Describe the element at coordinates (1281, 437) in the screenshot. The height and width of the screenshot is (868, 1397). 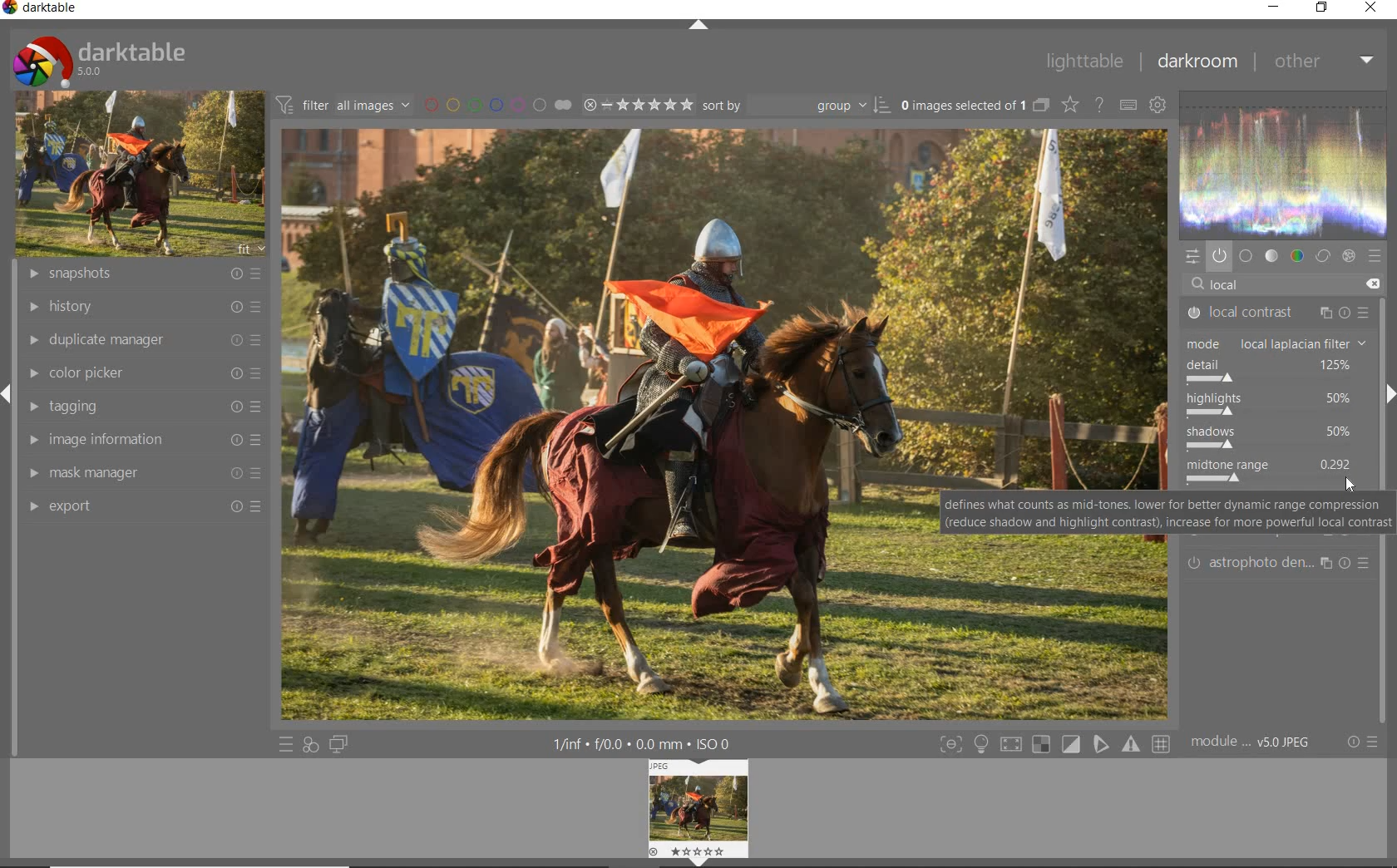
I see `SHADOWS` at that location.